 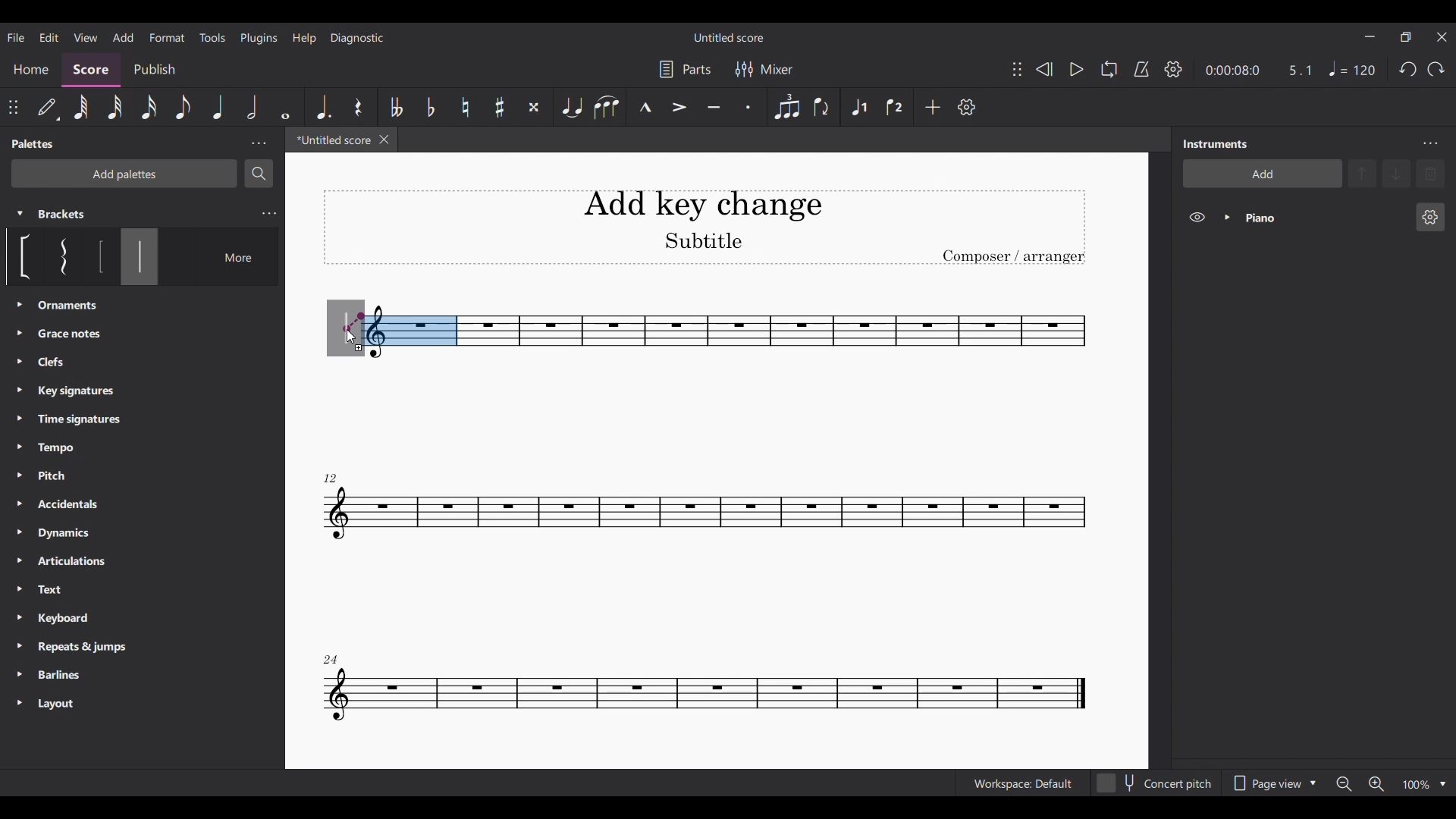 I want to click on Add, so click(x=933, y=107).